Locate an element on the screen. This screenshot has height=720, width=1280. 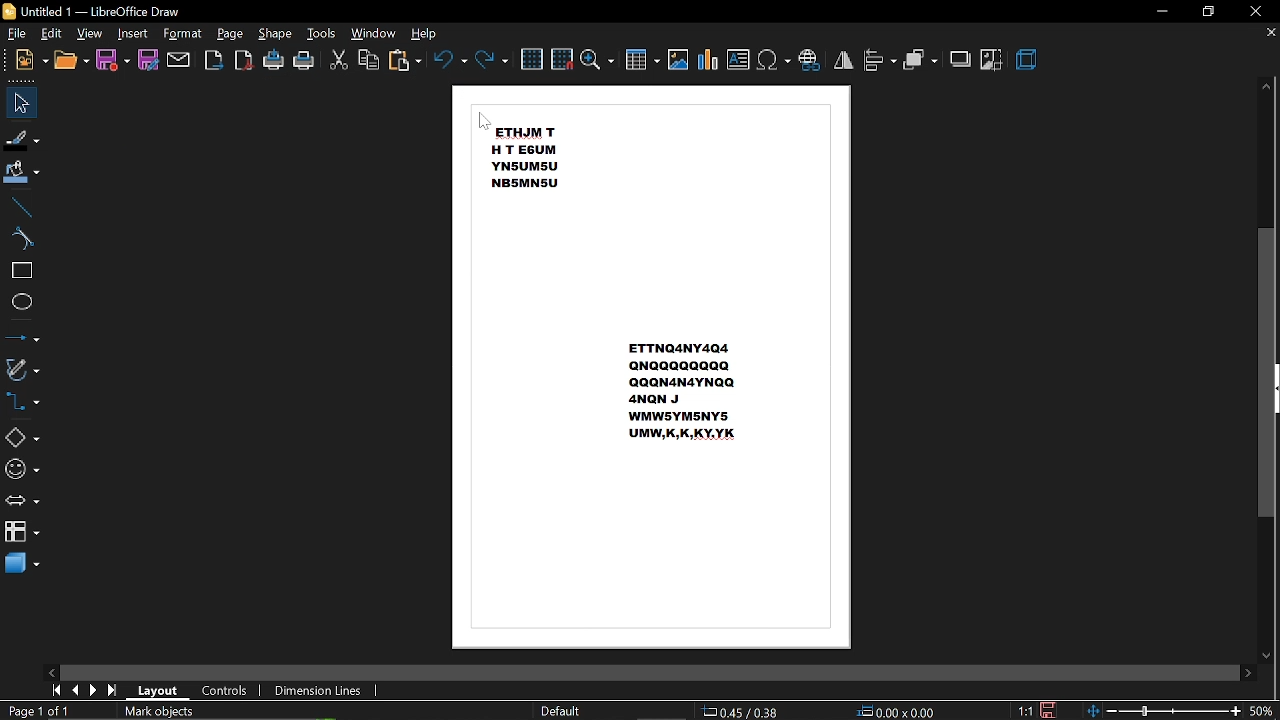
rectangle is located at coordinates (20, 272).